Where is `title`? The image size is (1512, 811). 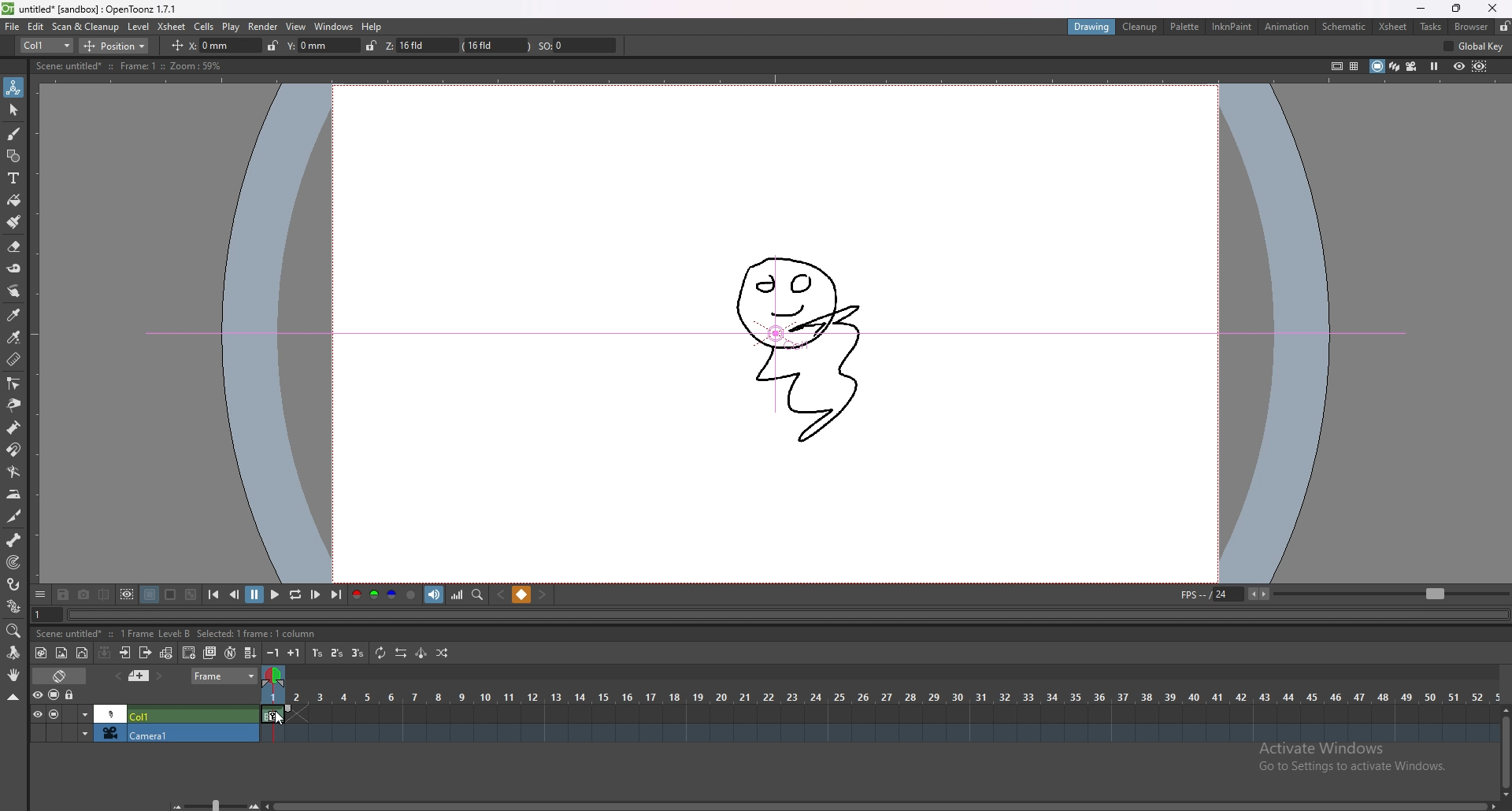
title is located at coordinates (93, 9).